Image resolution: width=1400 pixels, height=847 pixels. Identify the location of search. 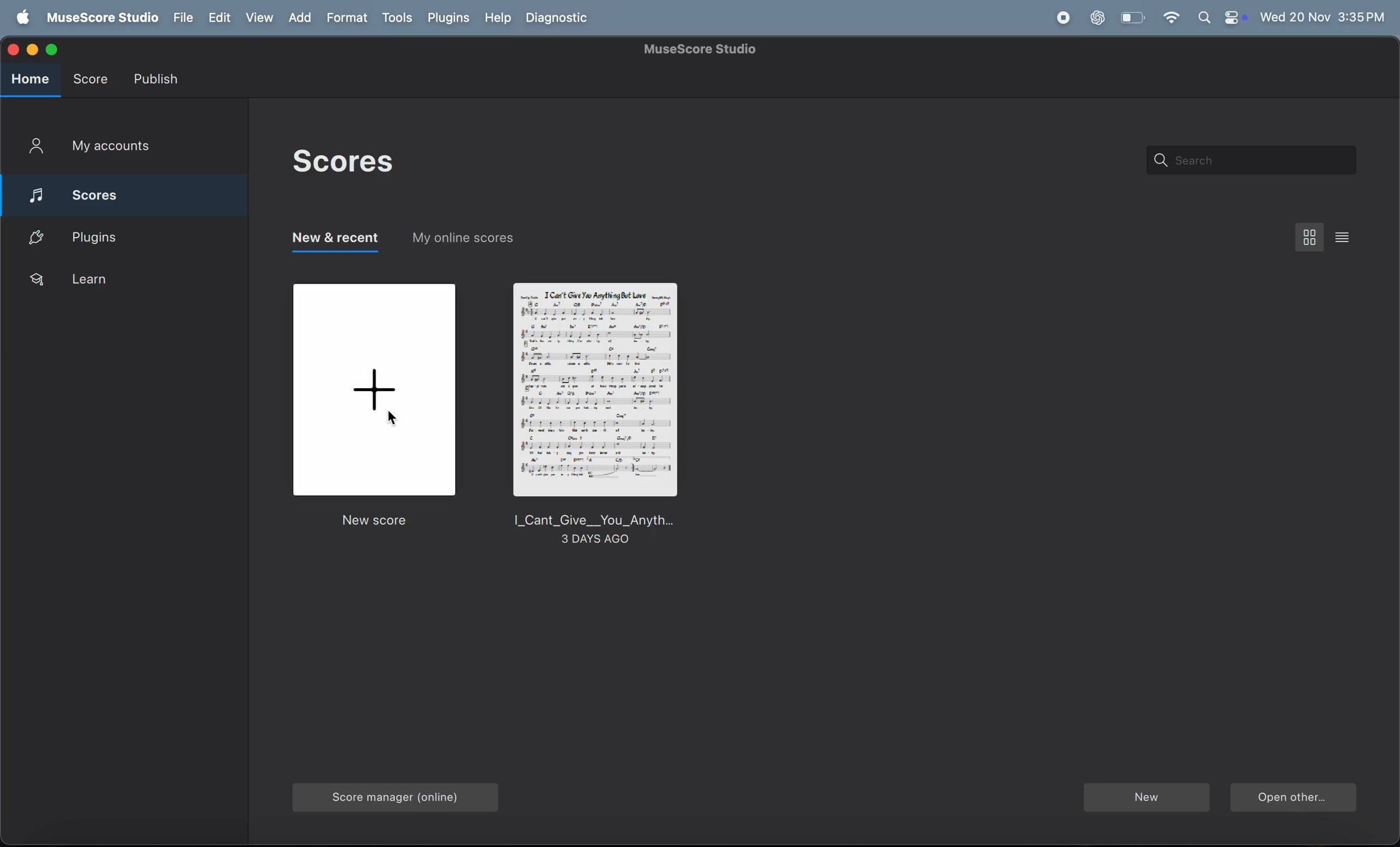
(1246, 160).